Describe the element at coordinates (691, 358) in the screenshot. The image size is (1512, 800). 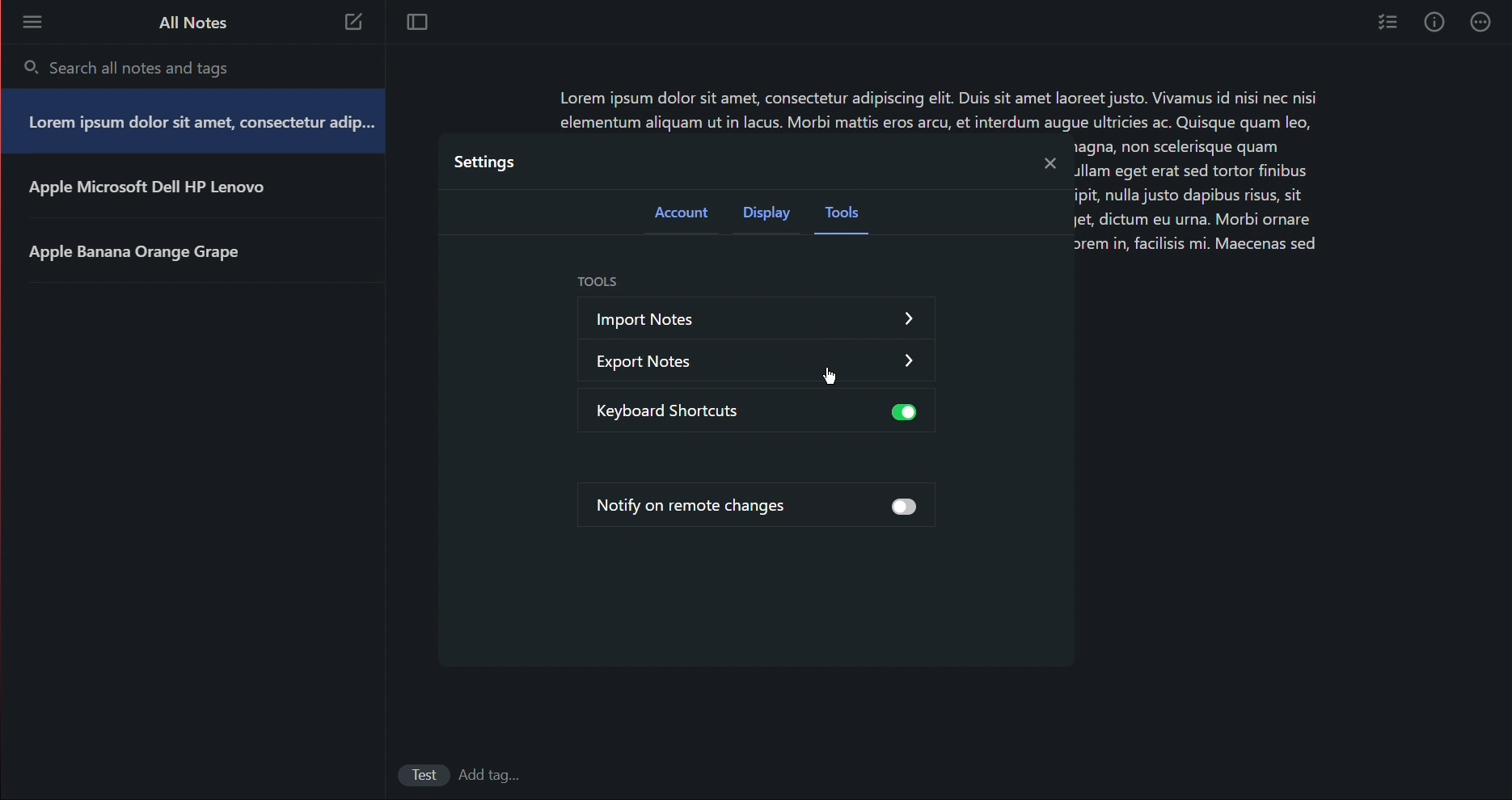
I see `Export Notes` at that location.